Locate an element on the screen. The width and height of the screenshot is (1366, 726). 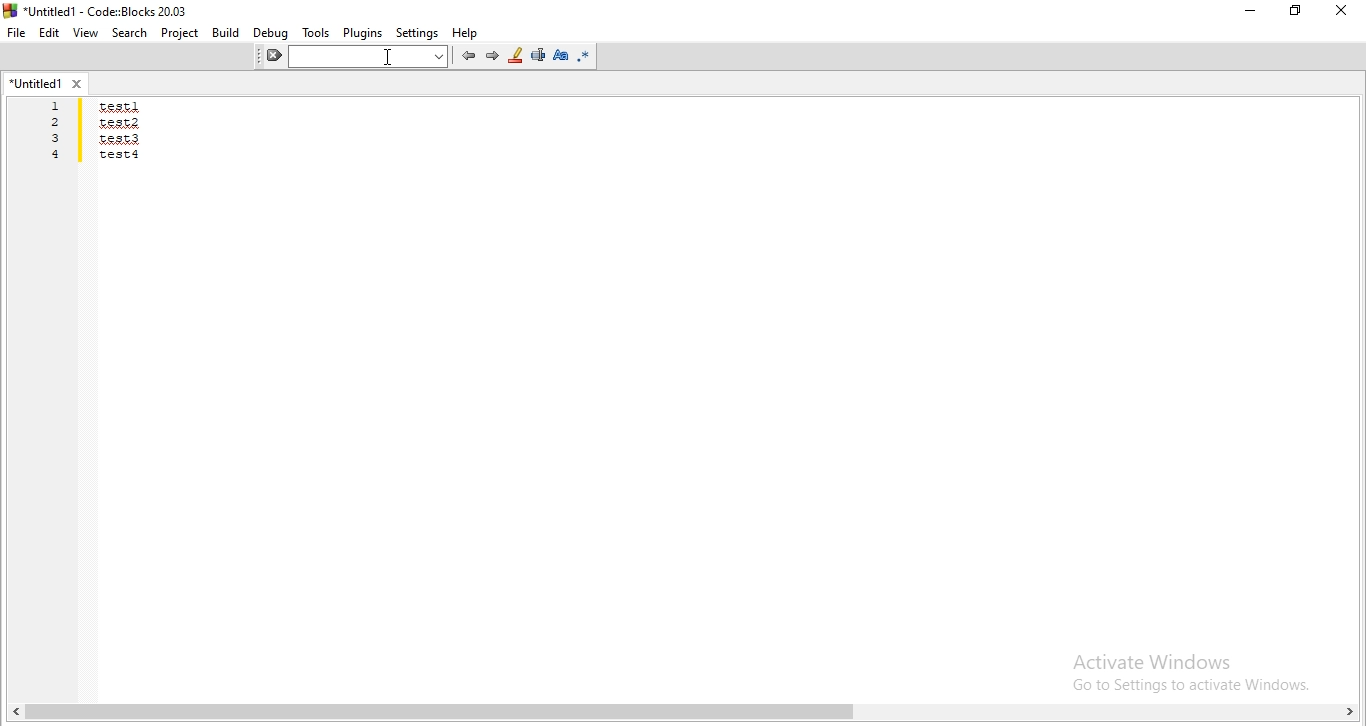
test 1 is located at coordinates (120, 106).